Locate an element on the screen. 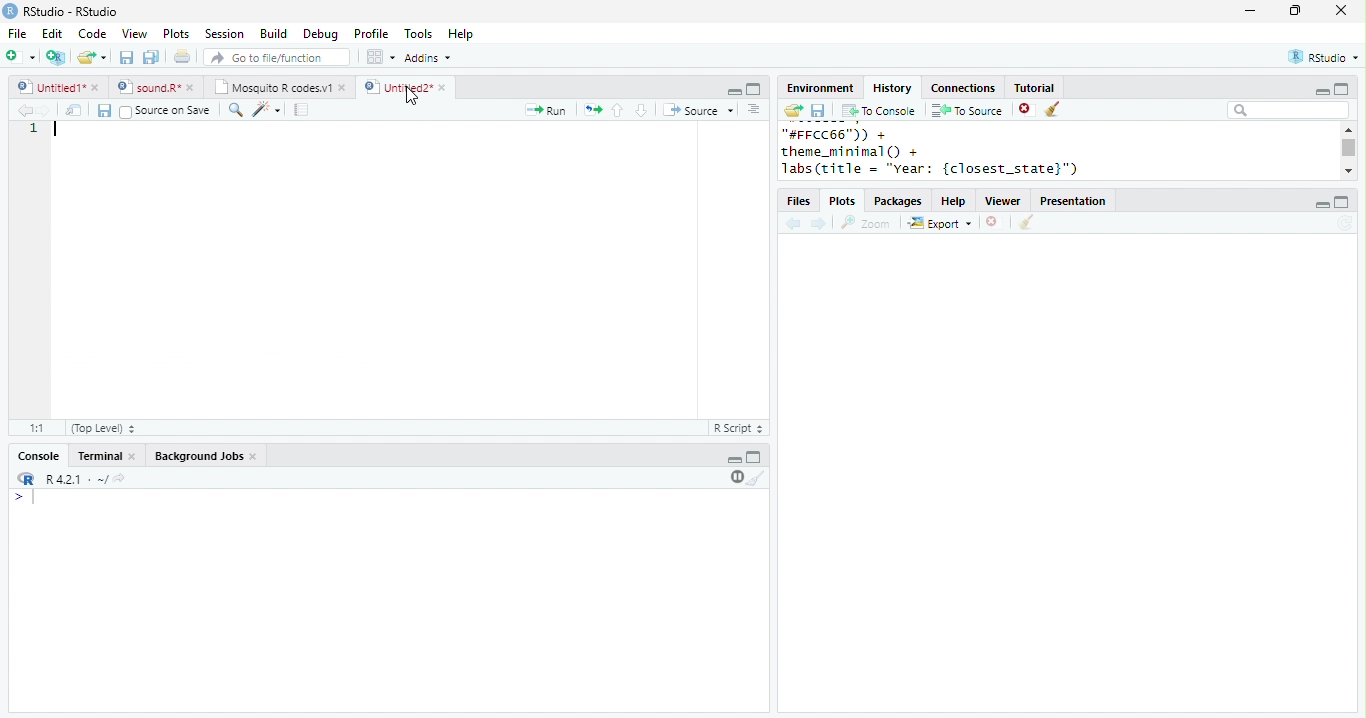 This screenshot has height=718, width=1366. close is located at coordinates (256, 457).